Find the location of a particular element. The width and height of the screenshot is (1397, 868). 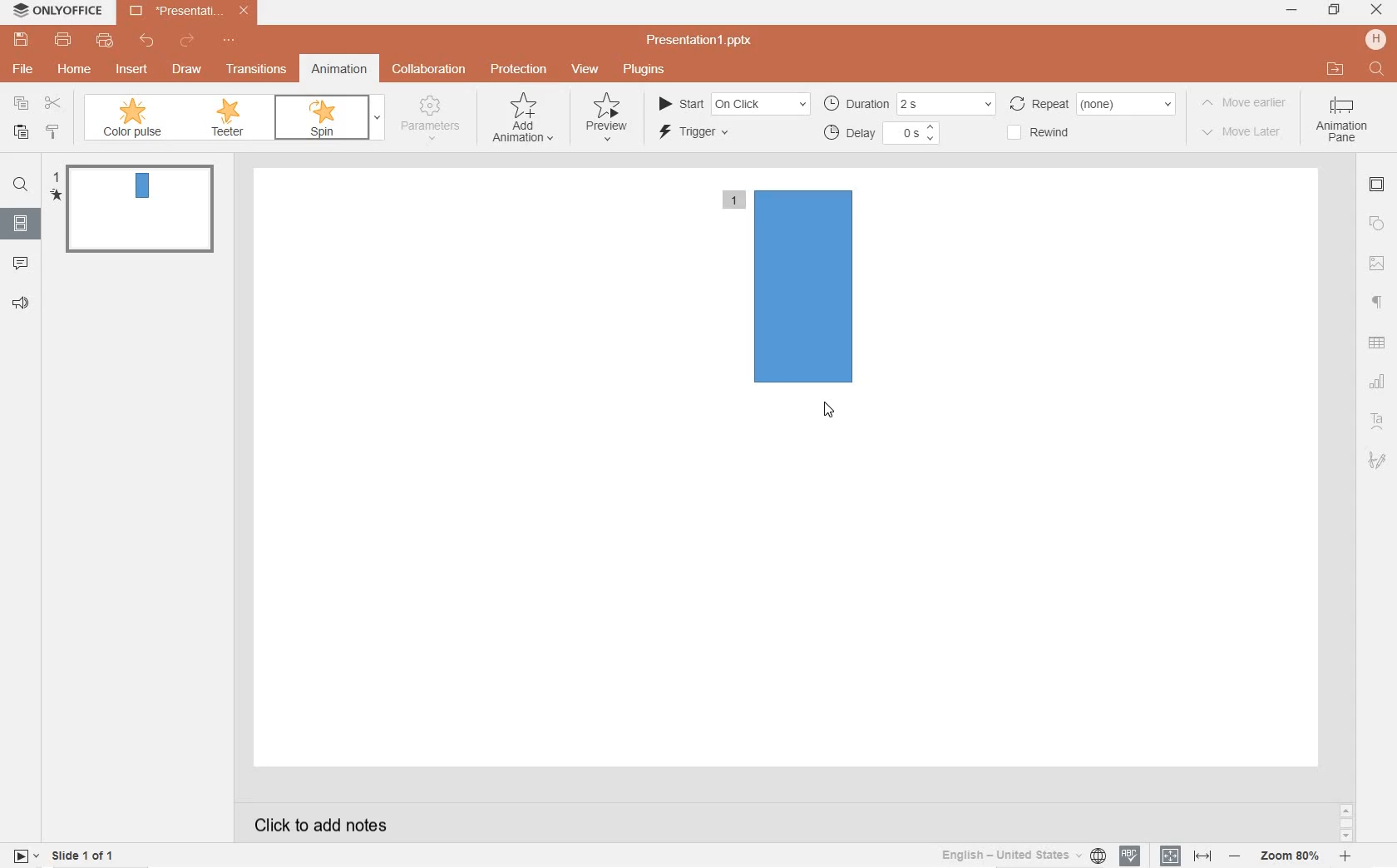

duration is located at coordinates (909, 103).